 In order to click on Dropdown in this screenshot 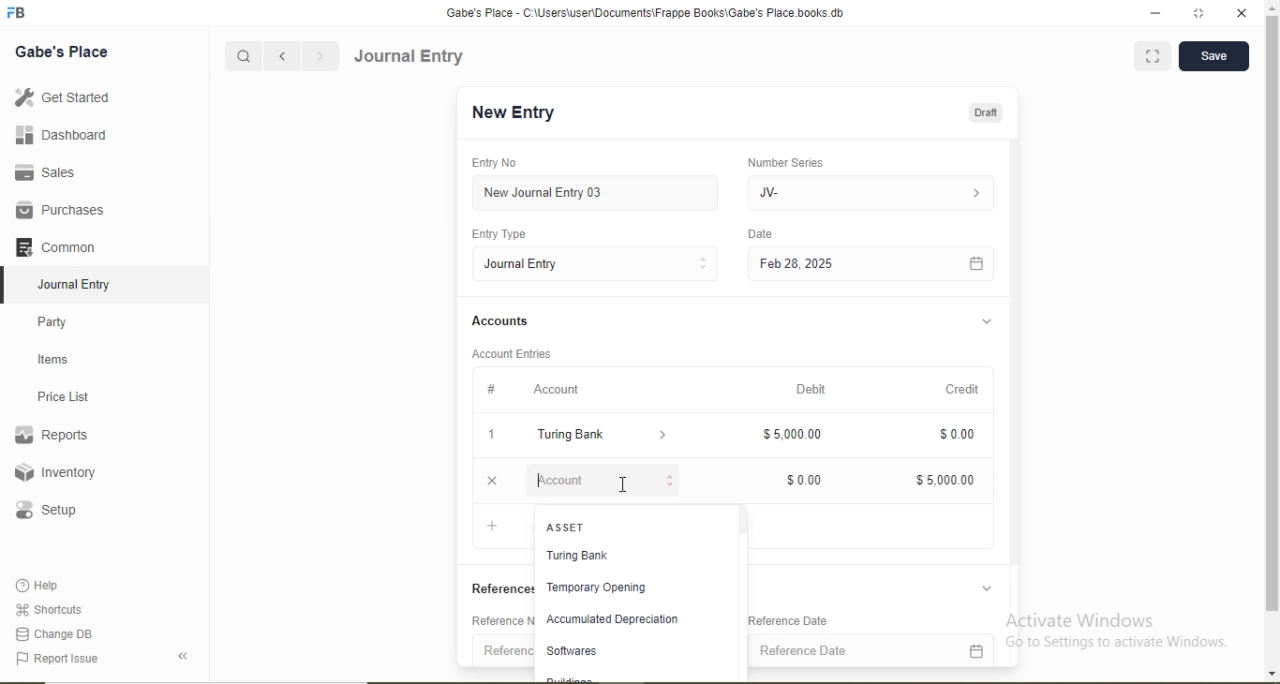, I will do `click(987, 321)`.